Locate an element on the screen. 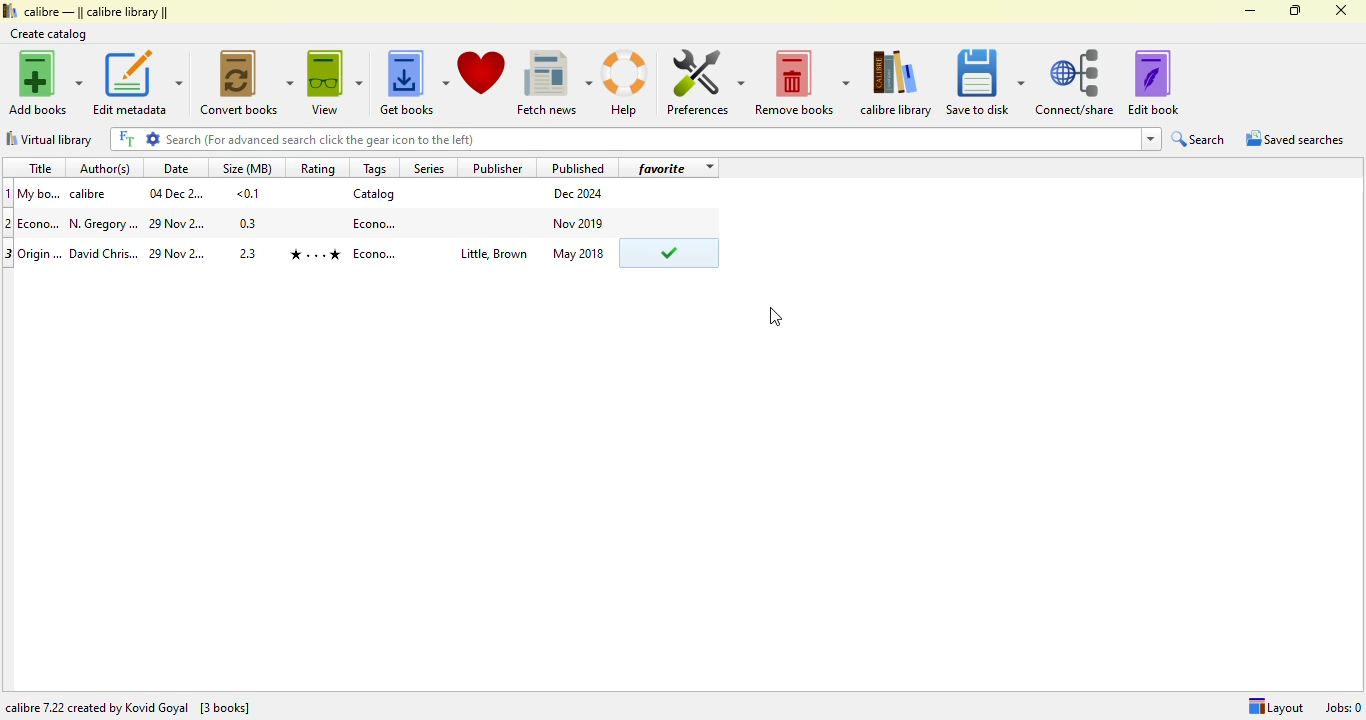 Image resolution: width=1366 pixels, height=720 pixels. title is located at coordinates (41, 252).